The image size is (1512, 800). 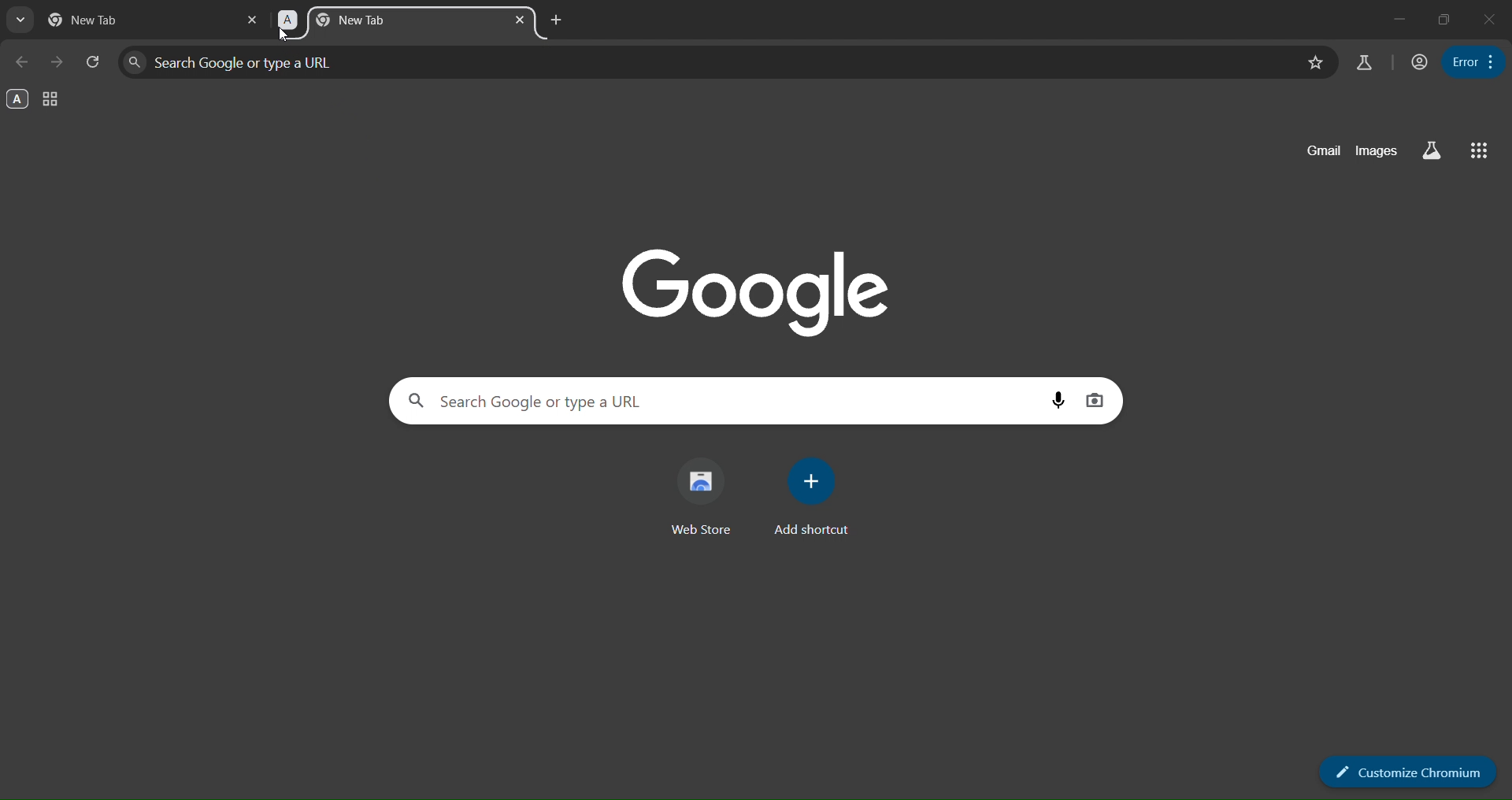 What do you see at coordinates (1317, 152) in the screenshot?
I see `gmail` at bounding box center [1317, 152].